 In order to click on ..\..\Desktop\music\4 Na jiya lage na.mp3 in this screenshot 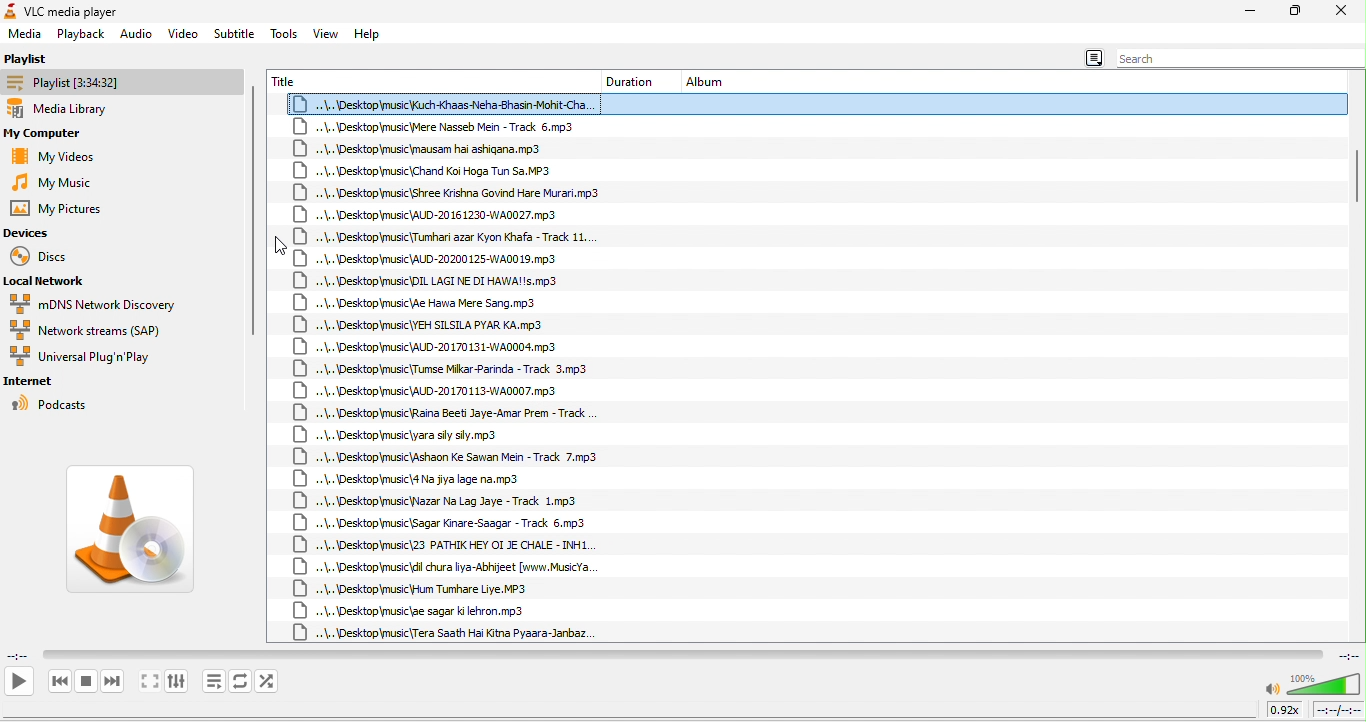, I will do `click(408, 479)`.